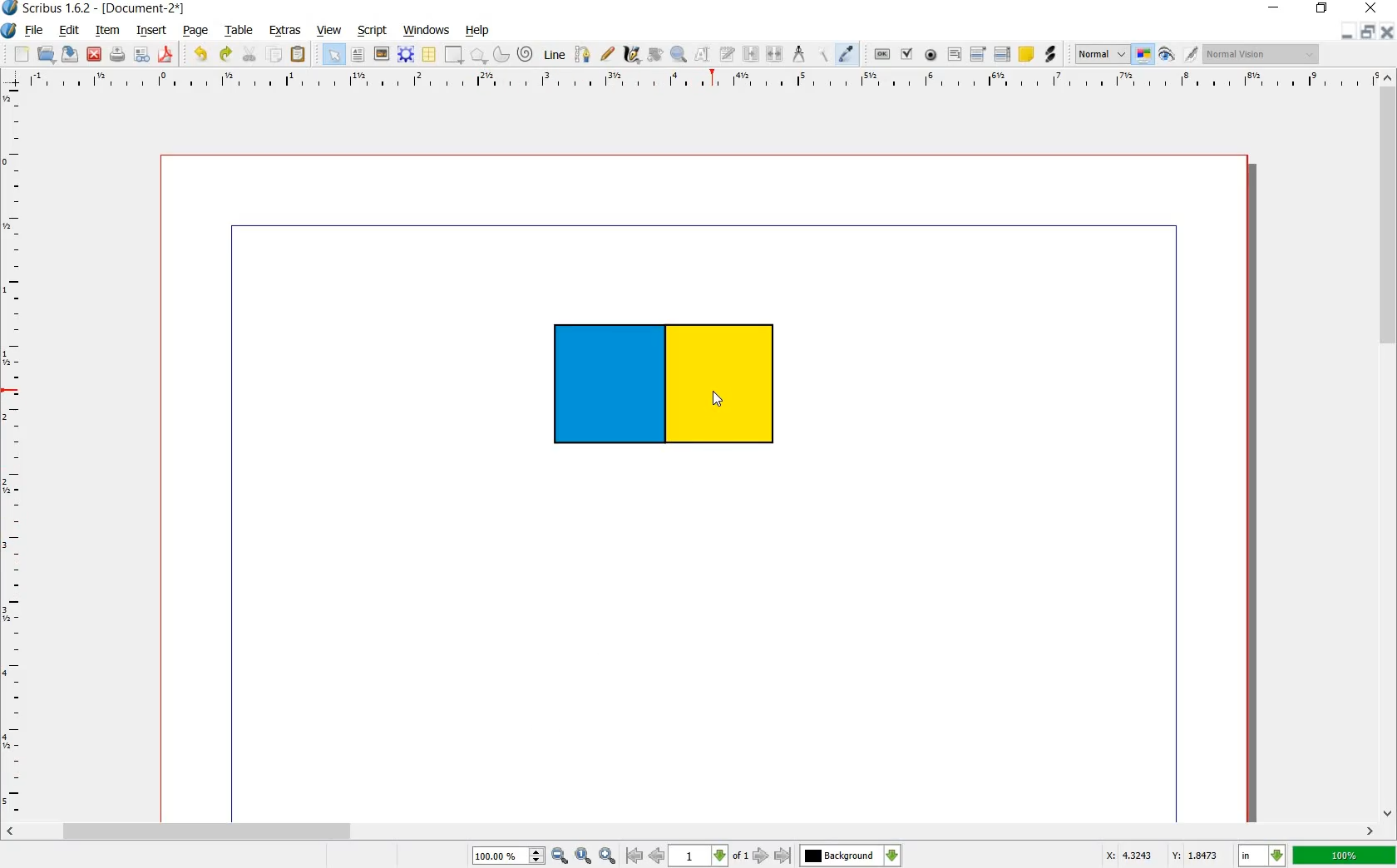 Image resolution: width=1397 pixels, height=868 pixels. I want to click on redo, so click(226, 56).